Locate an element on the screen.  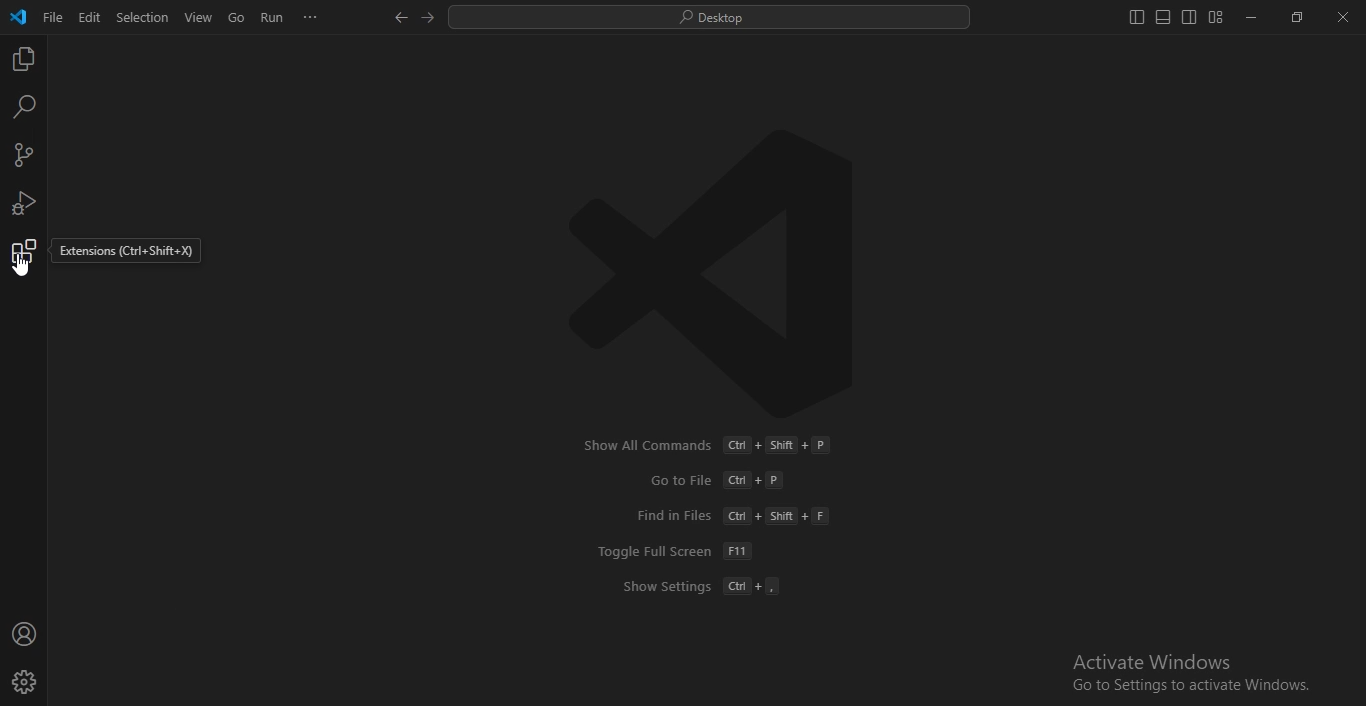
run is located at coordinates (273, 17).